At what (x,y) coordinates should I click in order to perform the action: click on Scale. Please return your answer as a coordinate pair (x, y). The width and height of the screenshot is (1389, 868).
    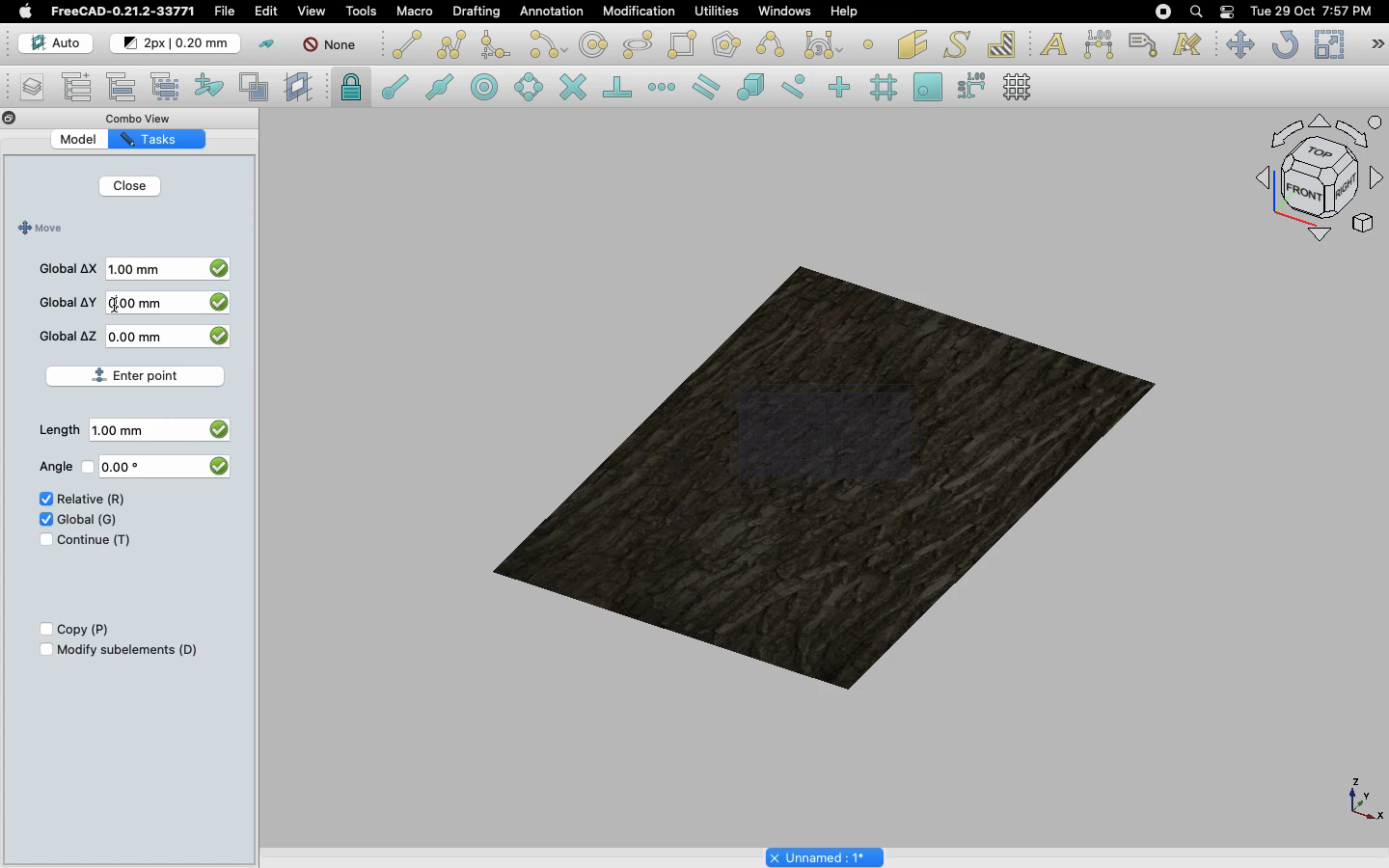
    Looking at the image, I should click on (1328, 44).